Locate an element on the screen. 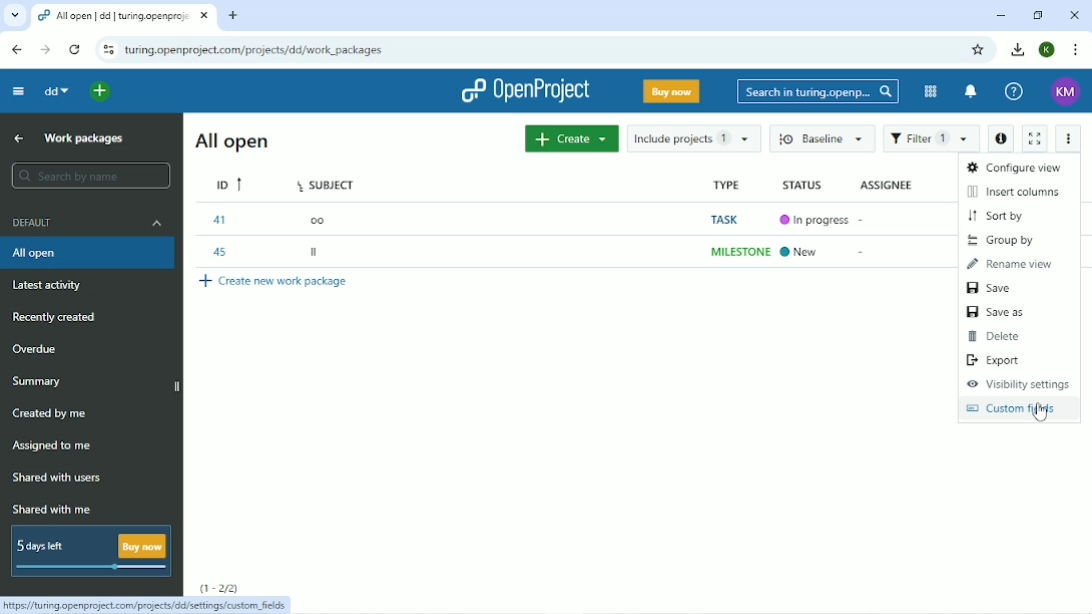 The image size is (1092, 614). Rename view is located at coordinates (1011, 265).